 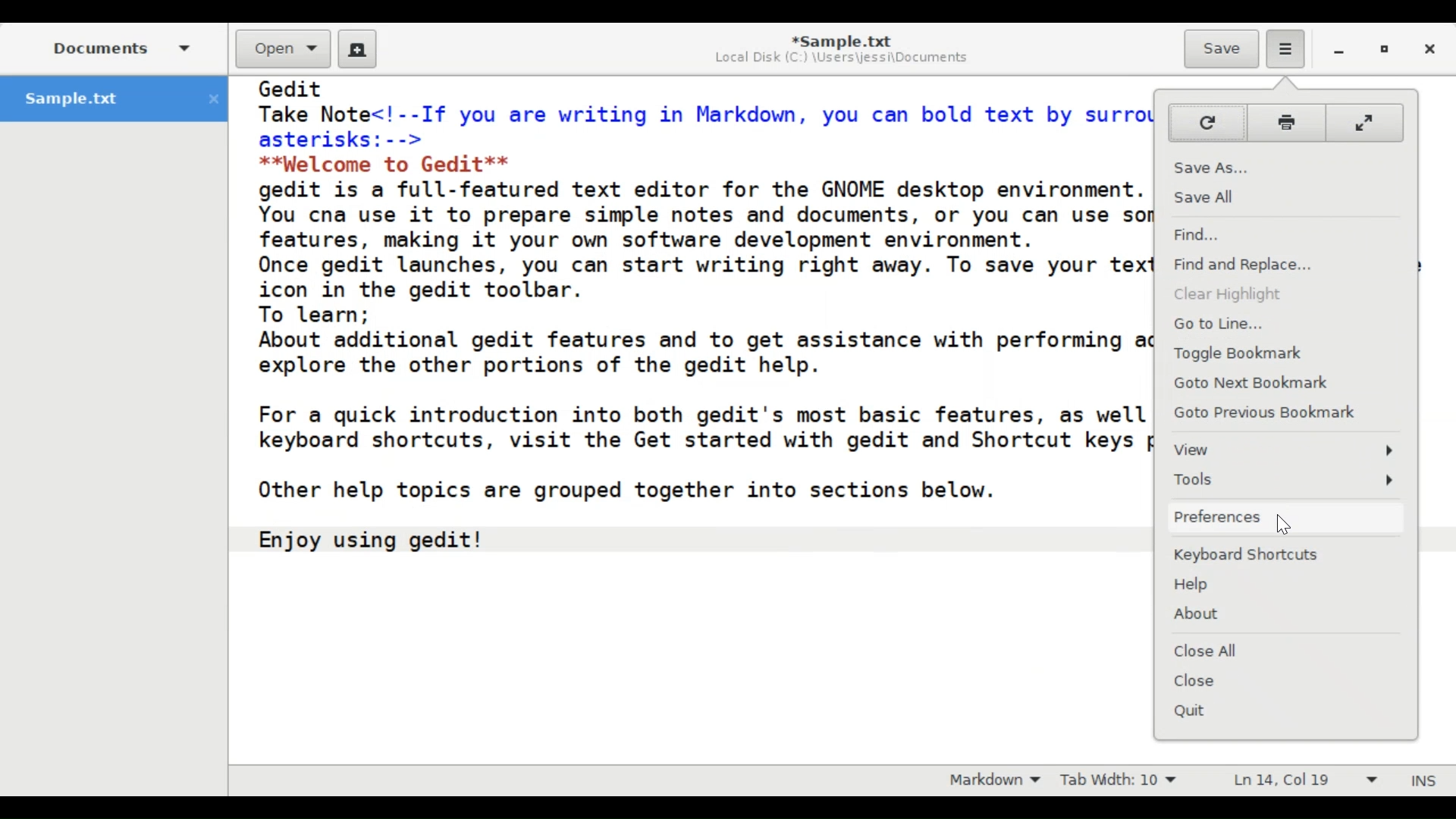 I want to click on Fullscreen, so click(x=1367, y=122).